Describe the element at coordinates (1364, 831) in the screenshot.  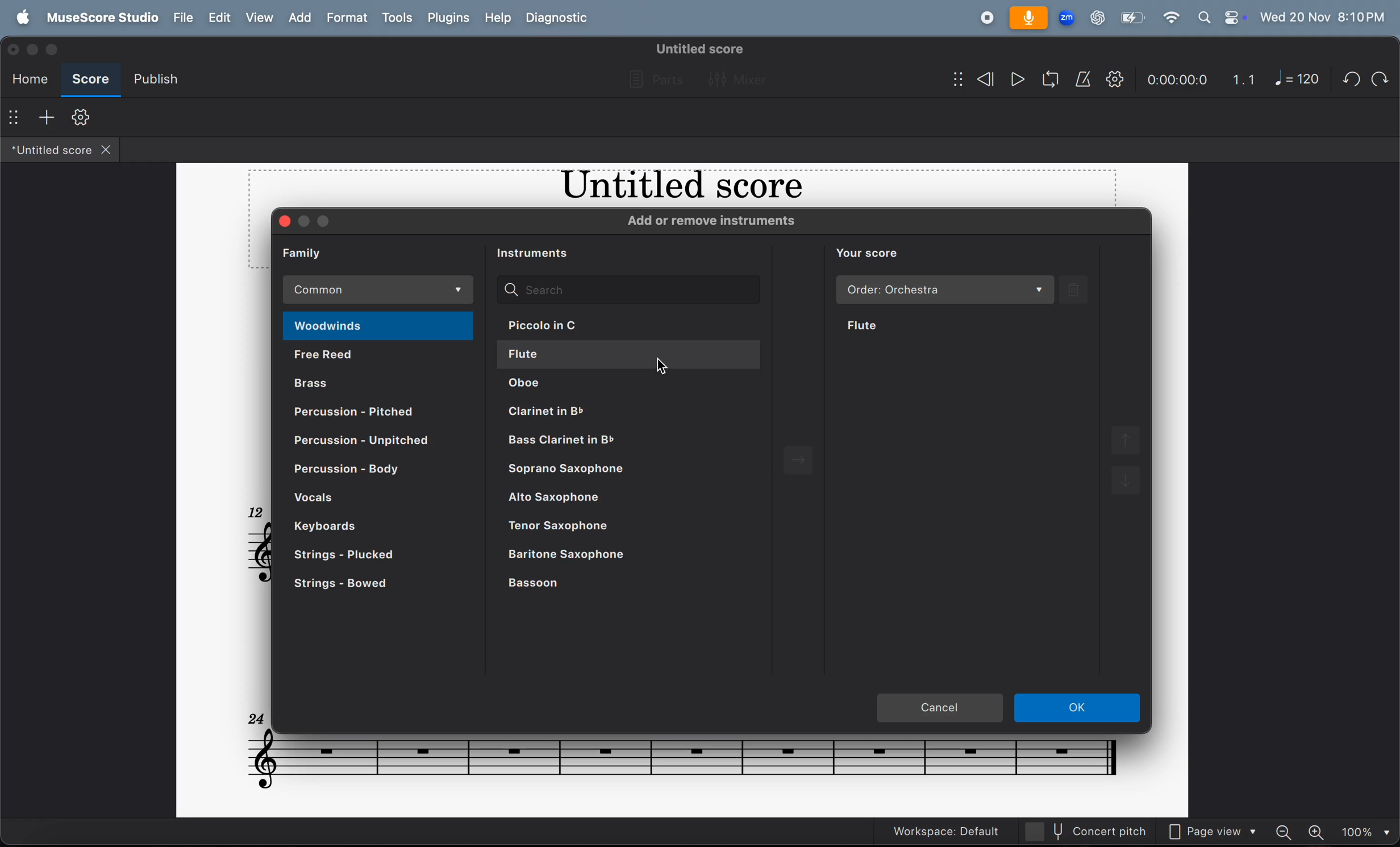
I see `set zoom - 100%` at that location.